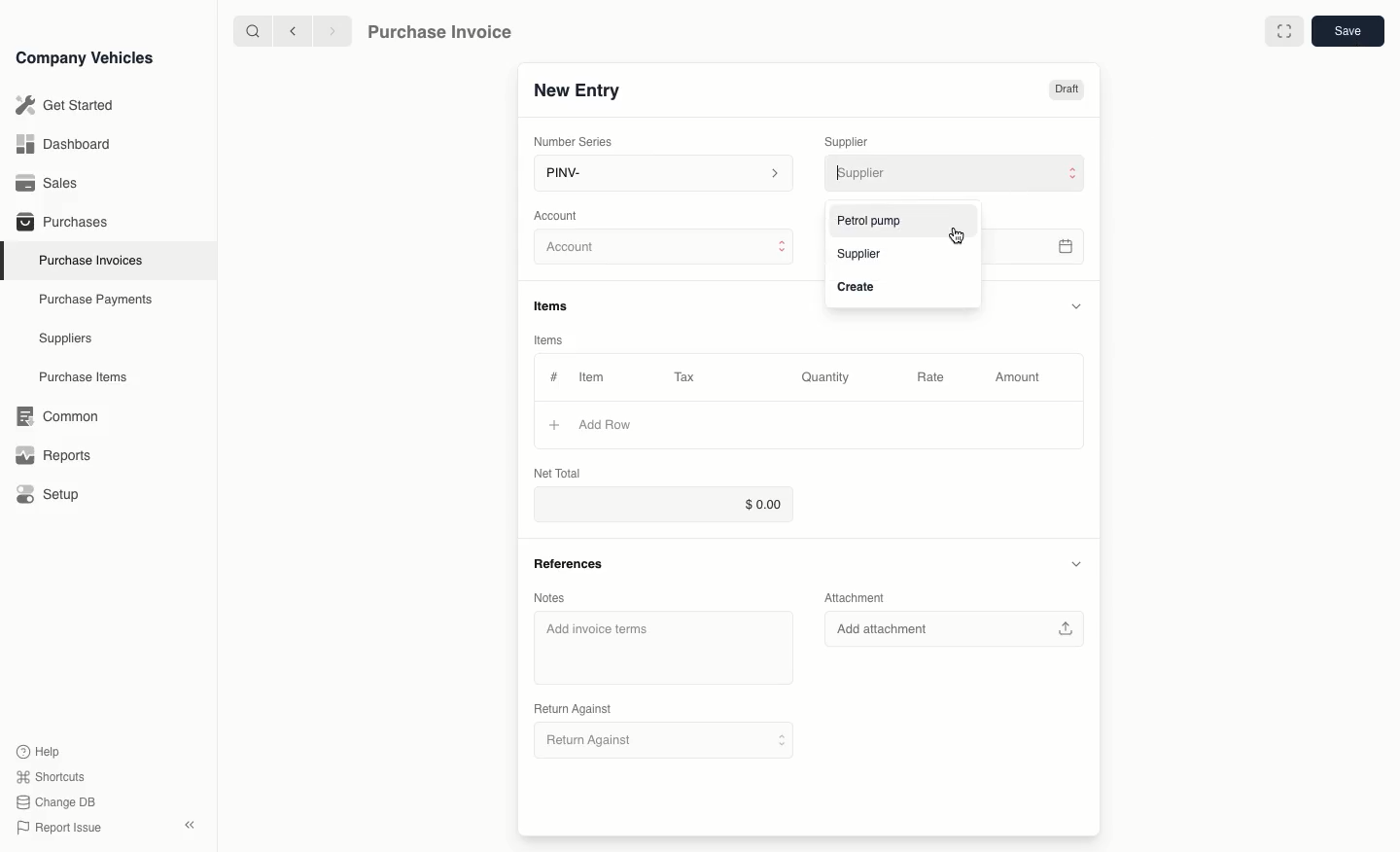 This screenshot has height=852, width=1400. I want to click on save, so click(1347, 30).